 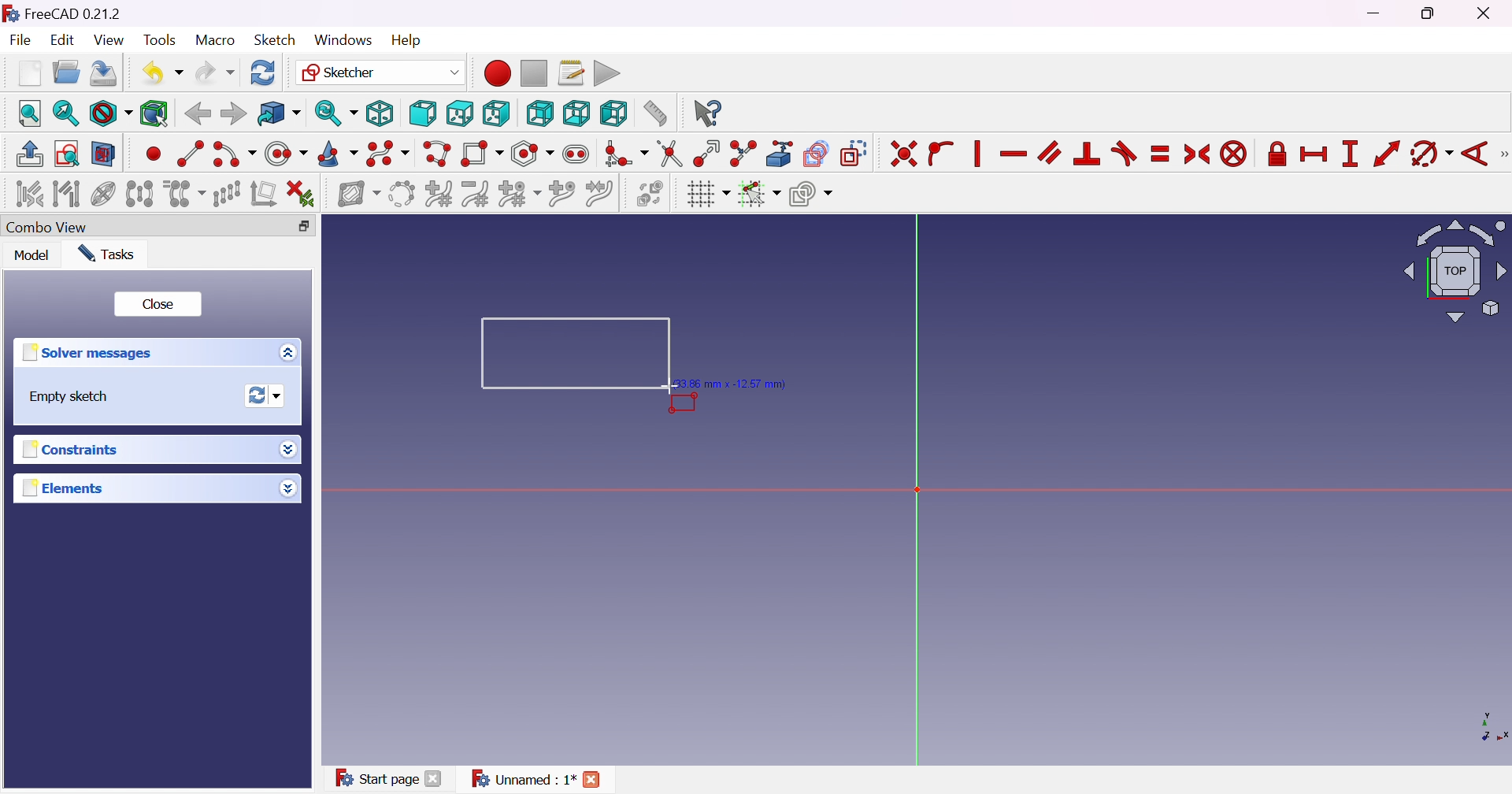 What do you see at coordinates (67, 193) in the screenshot?
I see `Select associated geometry` at bounding box center [67, 193].